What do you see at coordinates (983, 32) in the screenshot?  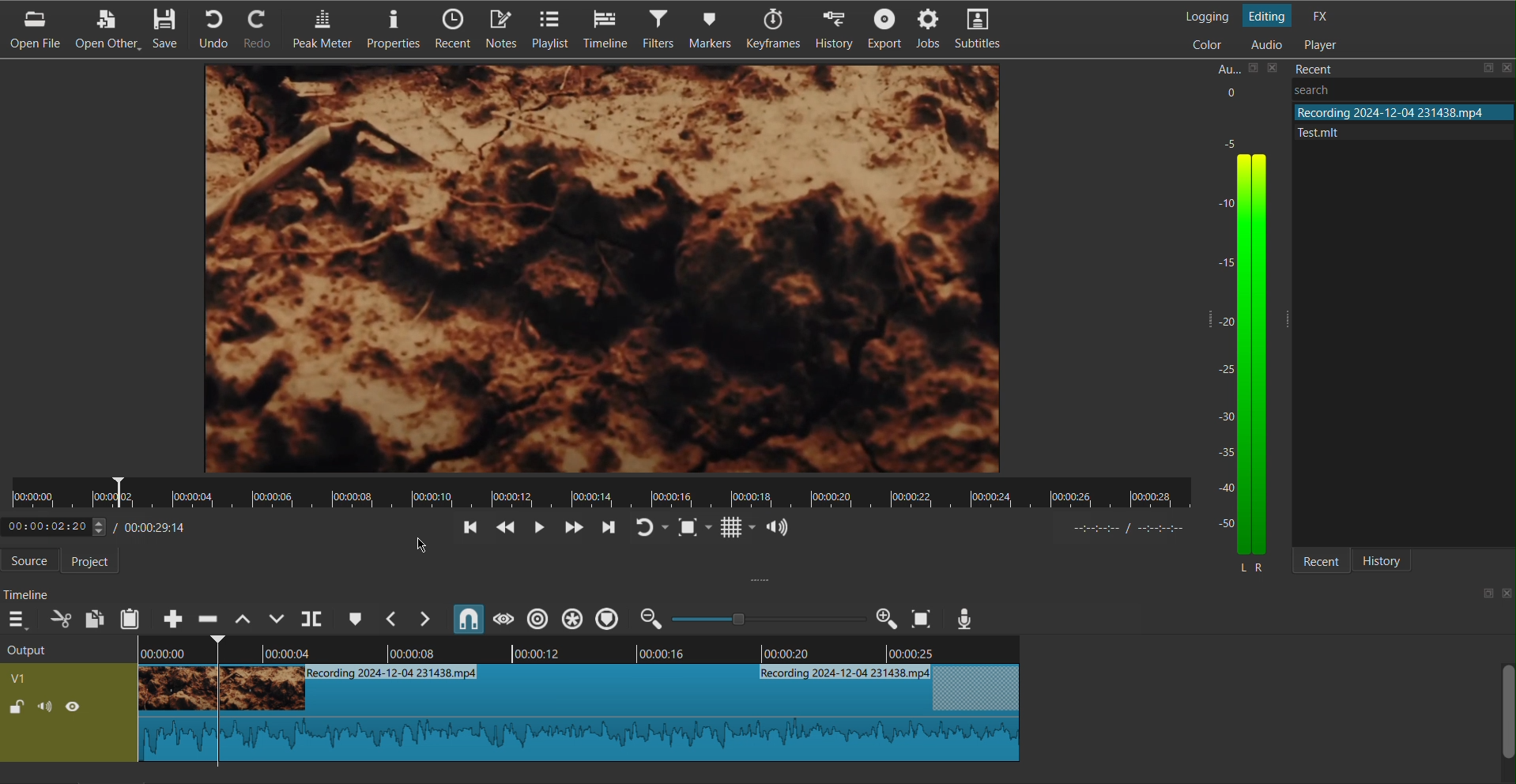 I see `Subtitles` at bounding box center [983, 32].